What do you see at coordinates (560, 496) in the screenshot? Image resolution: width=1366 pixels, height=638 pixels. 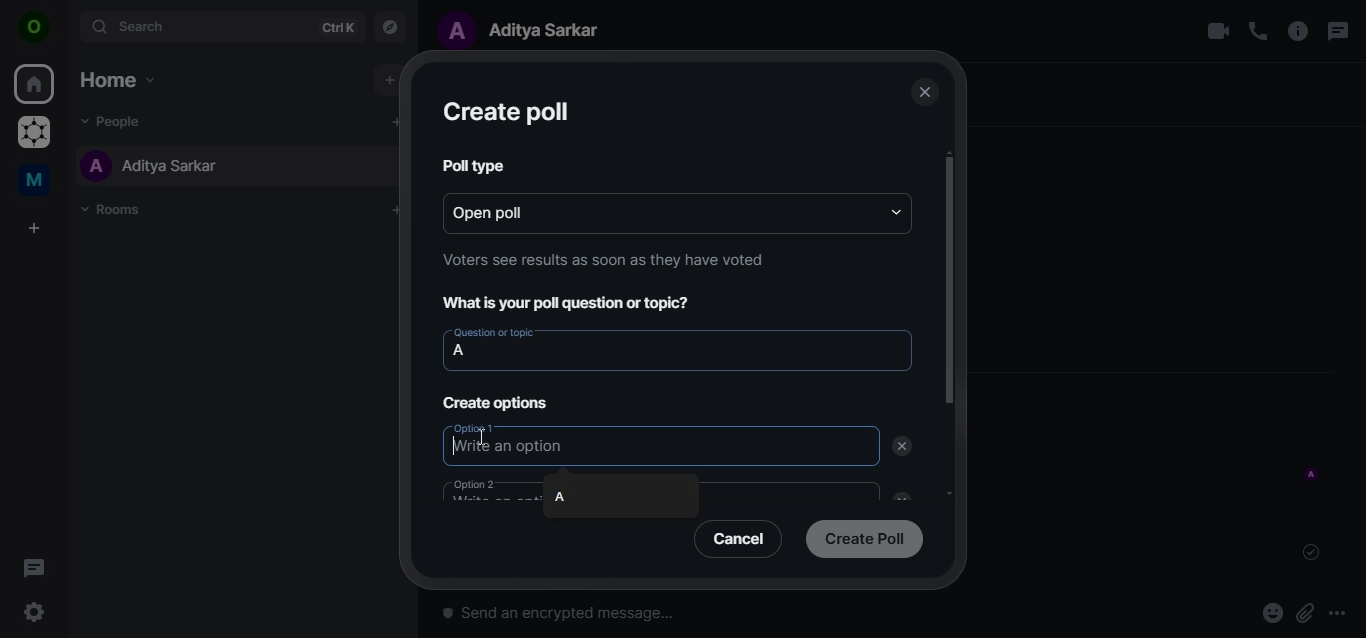 I see `A` at bounding box center [560, 496].